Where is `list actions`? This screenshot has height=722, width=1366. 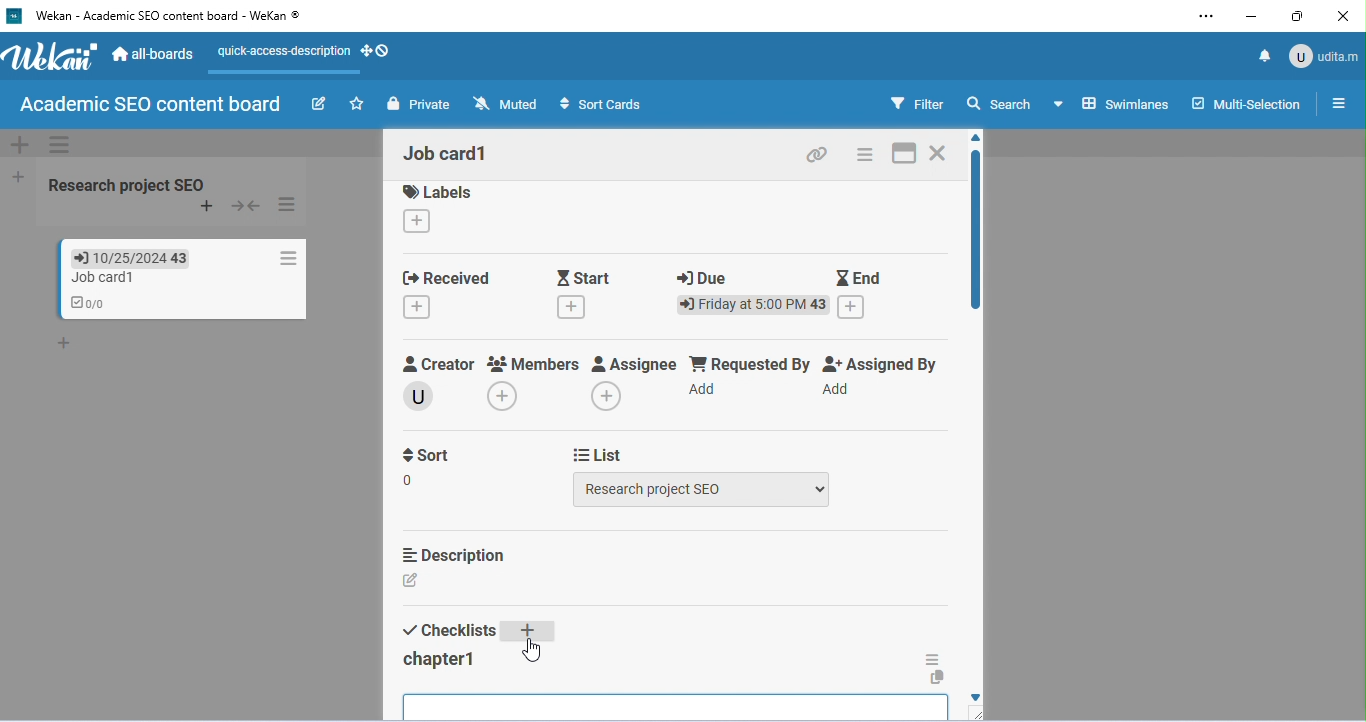 list actions is located at coordinates (289, 205).